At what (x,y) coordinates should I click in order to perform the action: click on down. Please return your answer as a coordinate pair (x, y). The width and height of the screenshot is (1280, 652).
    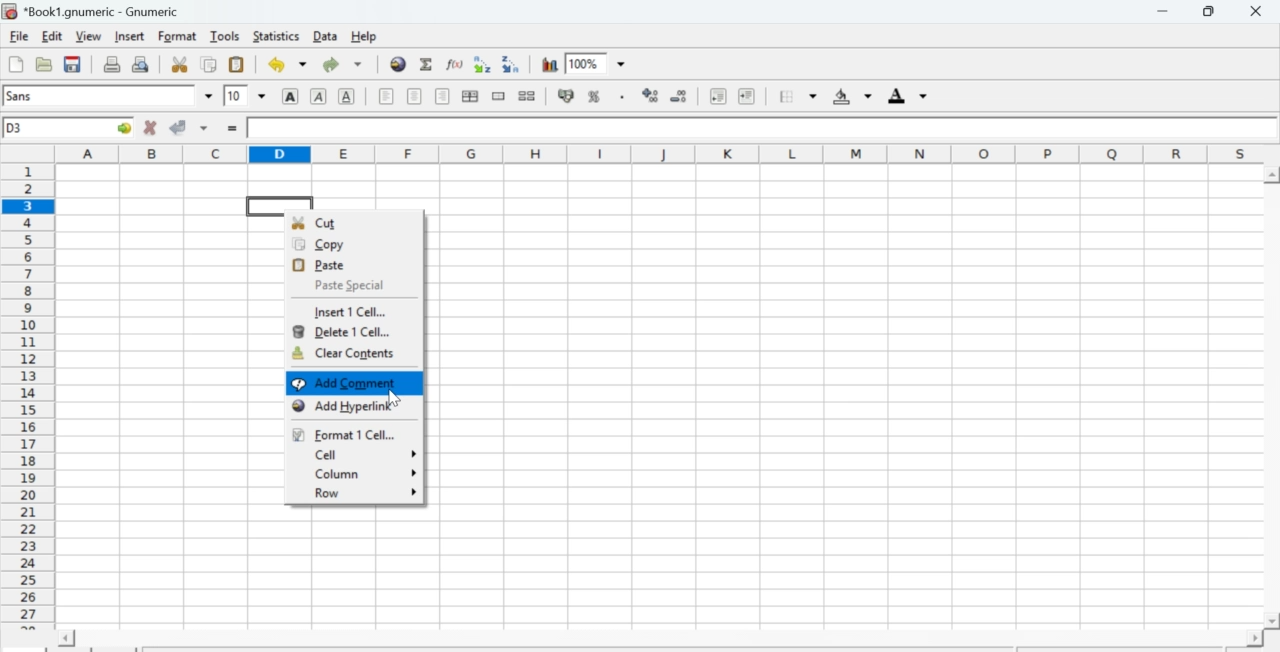
    Looking at the image, I should click on (623, 64).